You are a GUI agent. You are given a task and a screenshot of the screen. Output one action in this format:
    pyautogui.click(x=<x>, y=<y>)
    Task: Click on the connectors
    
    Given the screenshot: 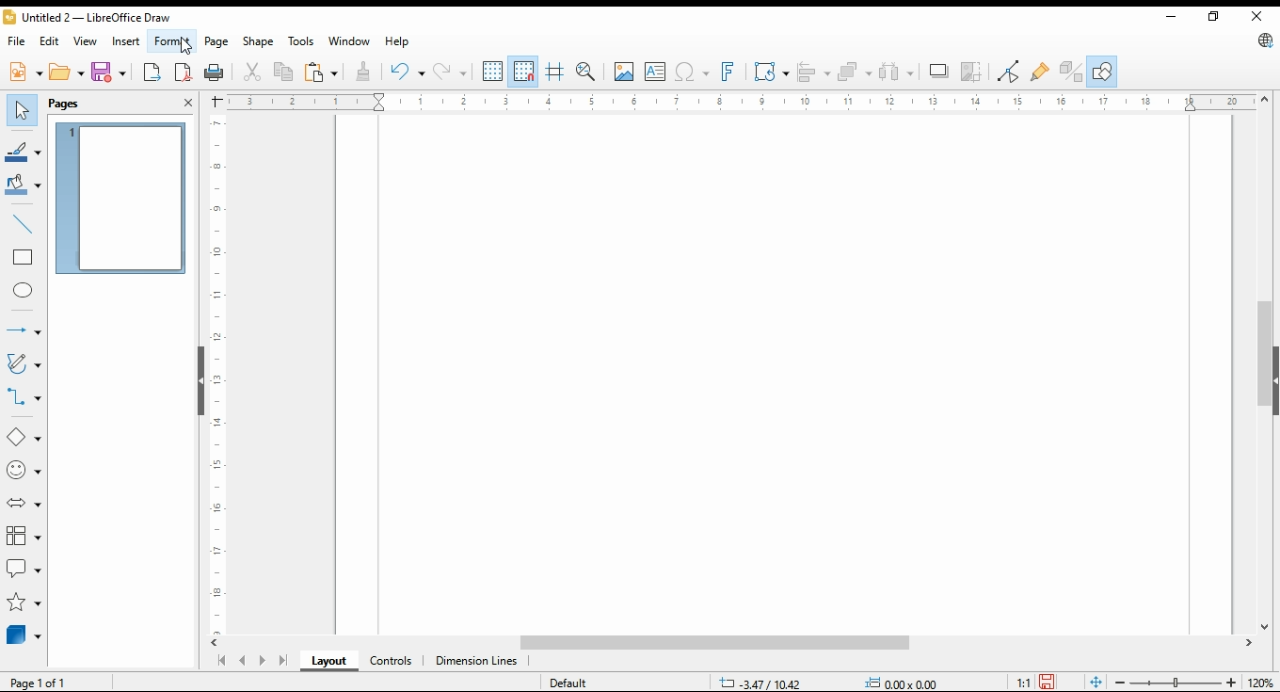 What is the action you would take?
    pyautogui.click(x=24, y=394)
    